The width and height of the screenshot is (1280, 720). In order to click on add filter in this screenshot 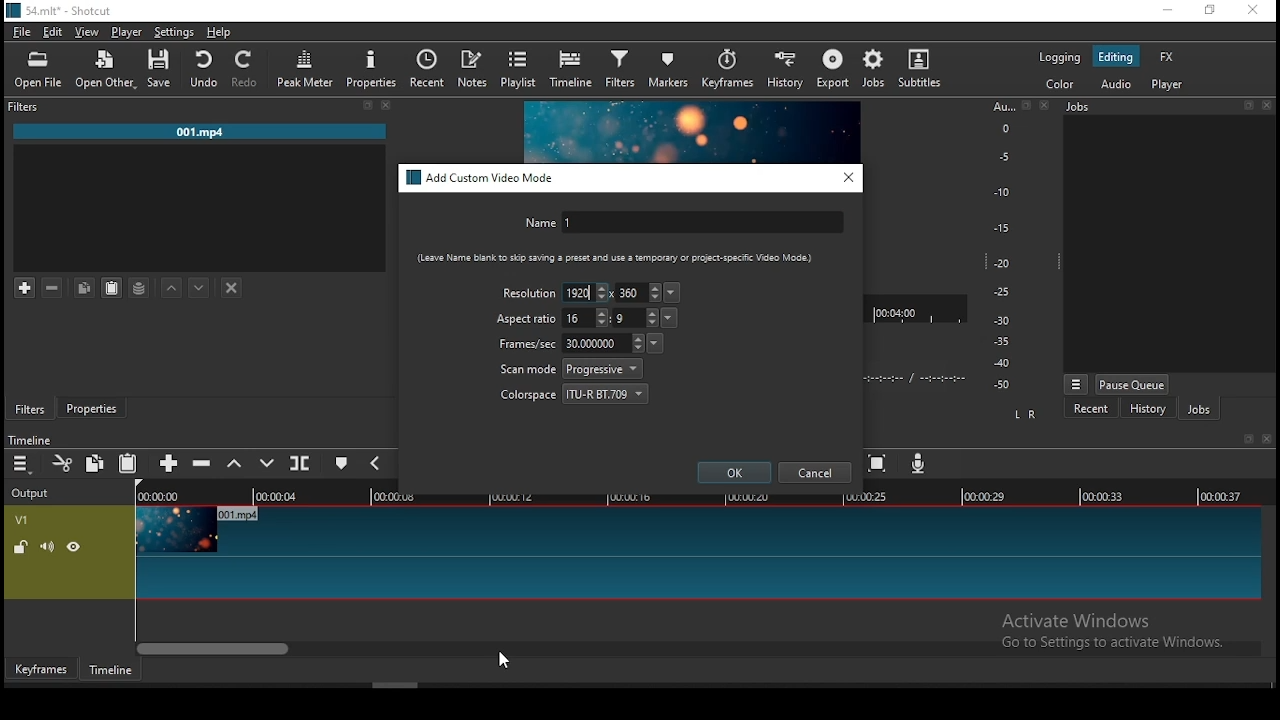, I will do `click(25, 289)`.